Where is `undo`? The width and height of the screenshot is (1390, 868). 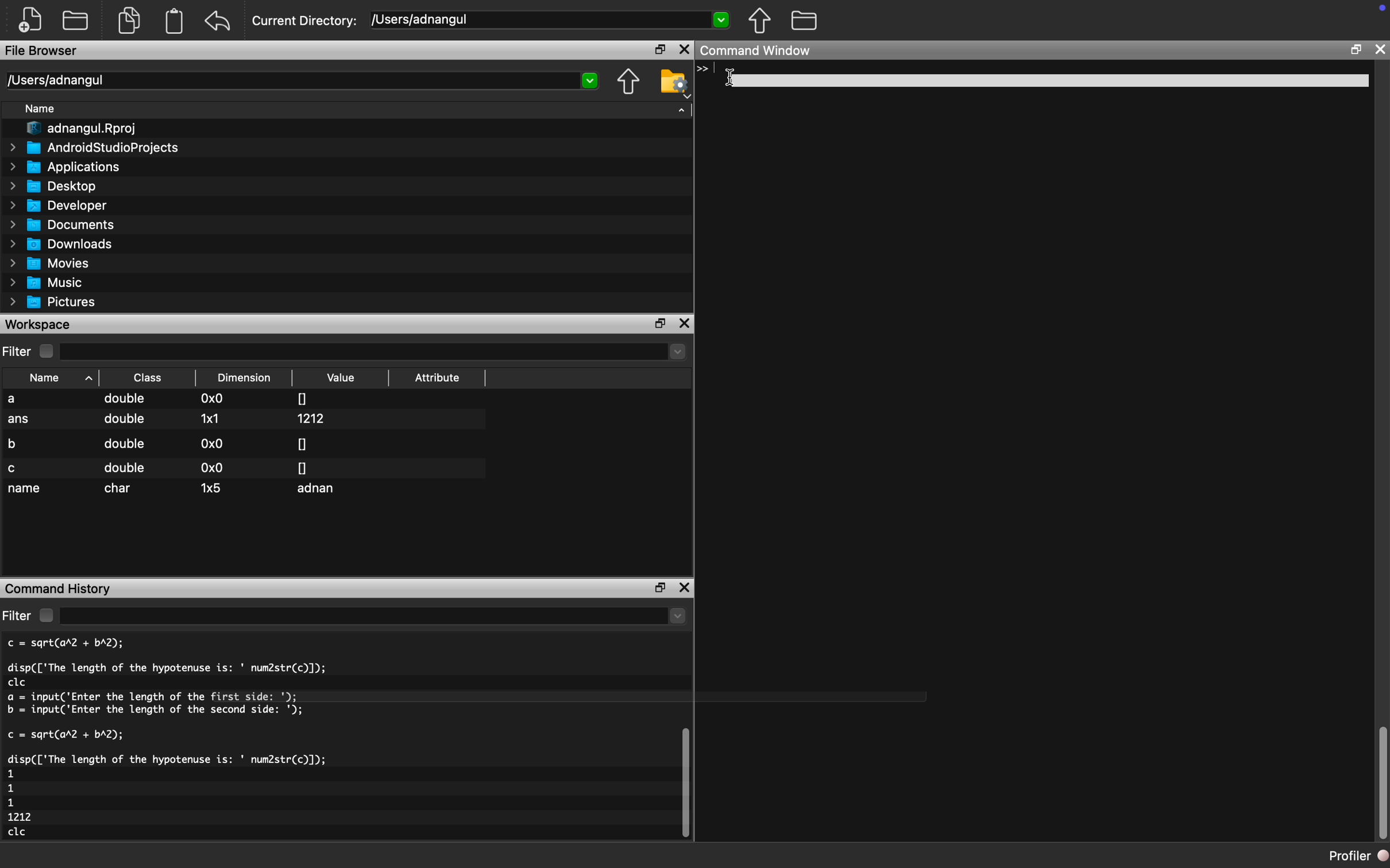
undo is located at coordinates (218, 21).